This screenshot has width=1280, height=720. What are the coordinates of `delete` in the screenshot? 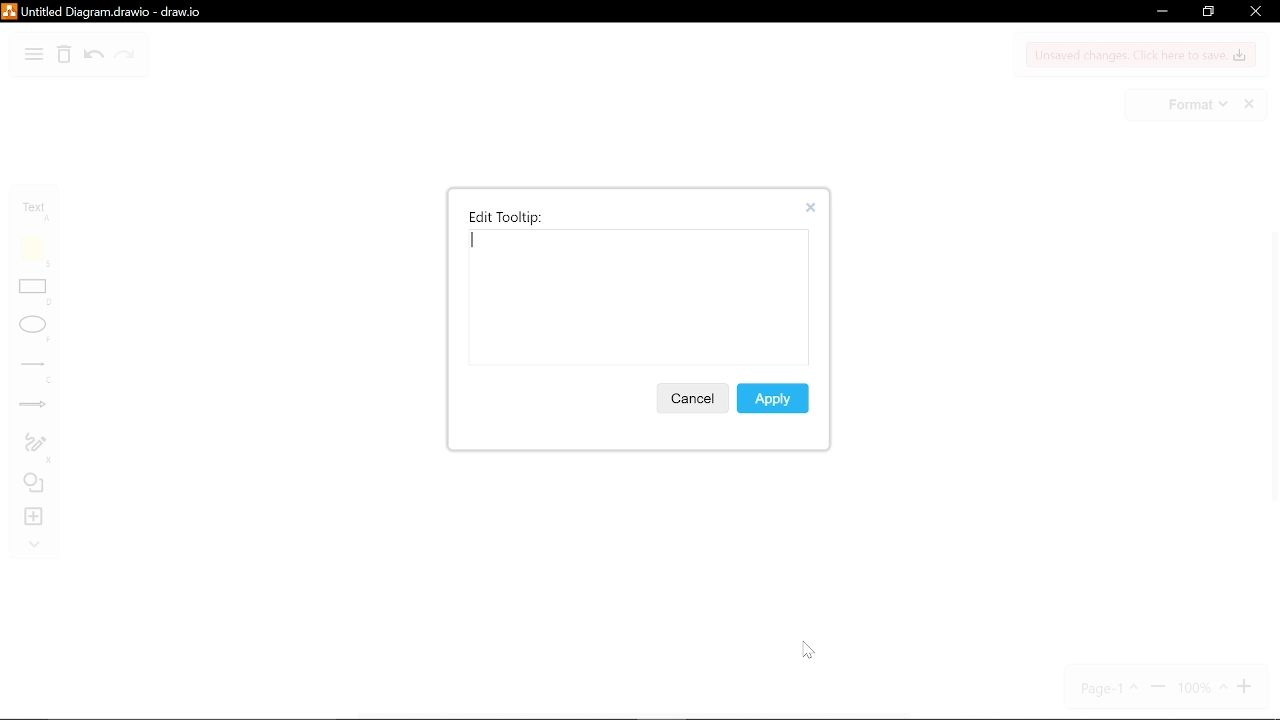 It's located at (64, 57).